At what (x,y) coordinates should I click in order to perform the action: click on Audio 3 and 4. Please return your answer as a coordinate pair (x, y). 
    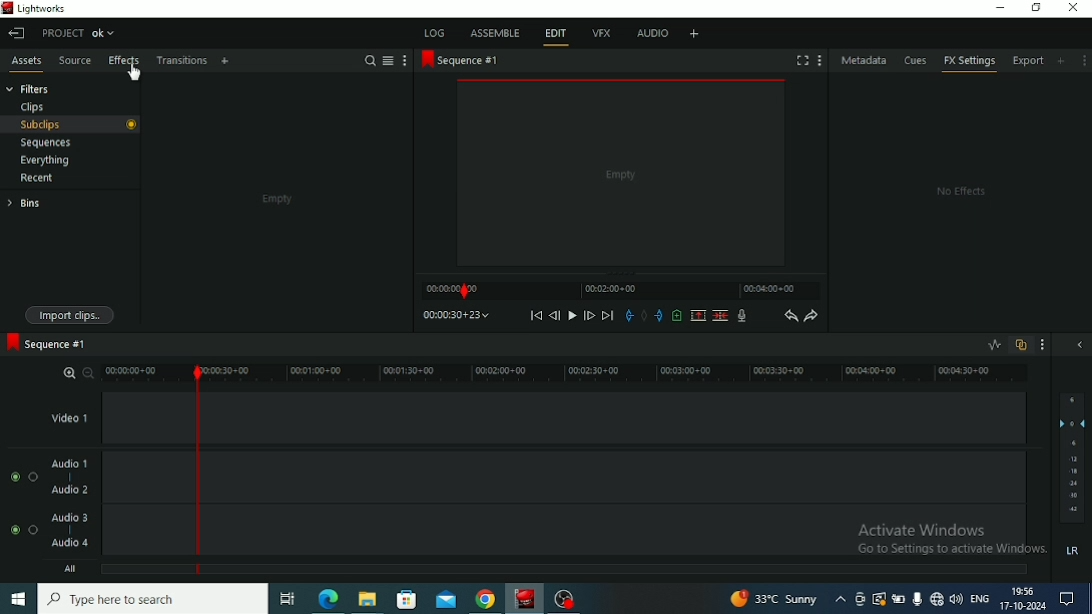
    Looking at the image, I should click on (626, 532).